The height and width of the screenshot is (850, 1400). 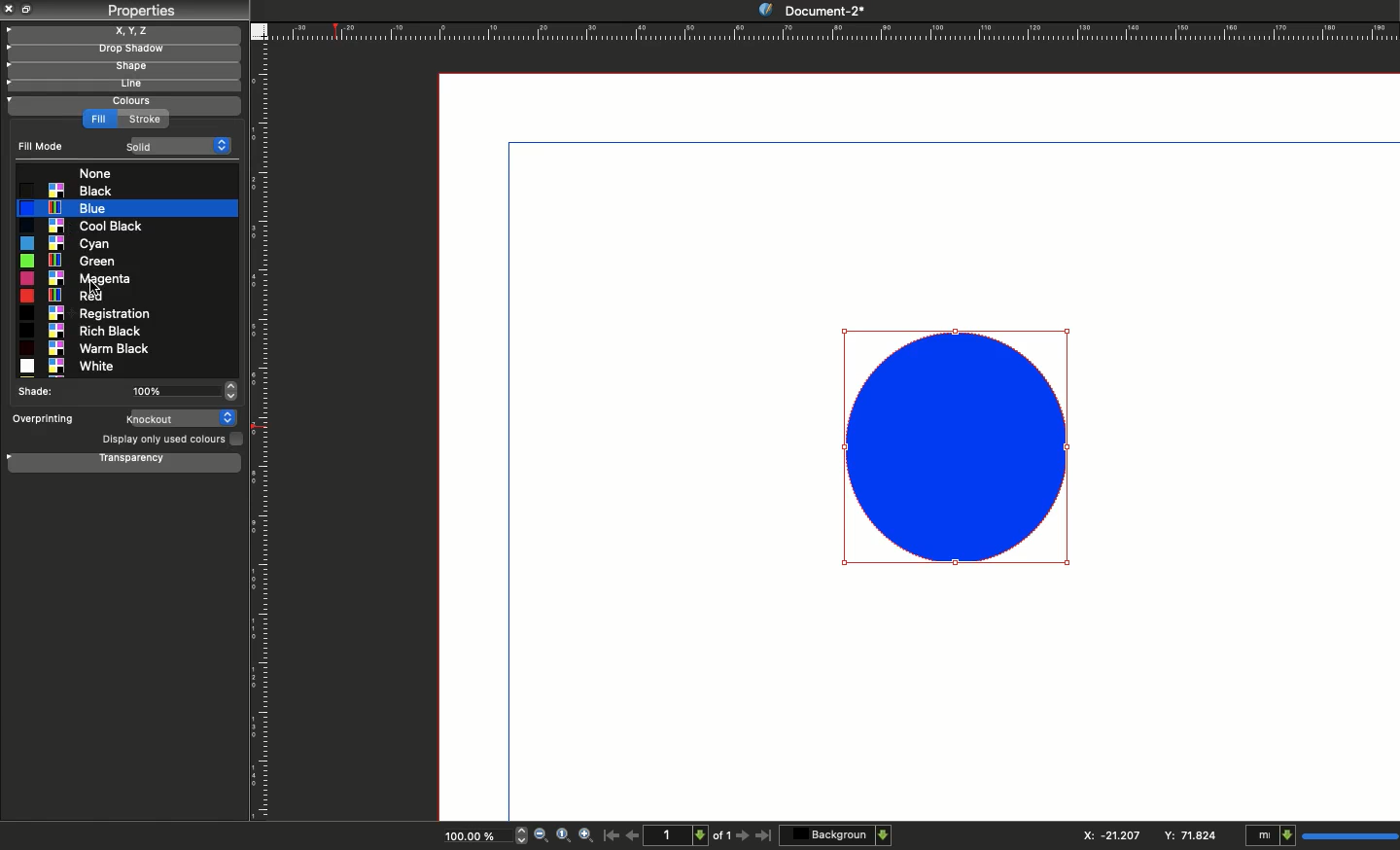 I want to click on Knockout, so click(x=179, y=419).